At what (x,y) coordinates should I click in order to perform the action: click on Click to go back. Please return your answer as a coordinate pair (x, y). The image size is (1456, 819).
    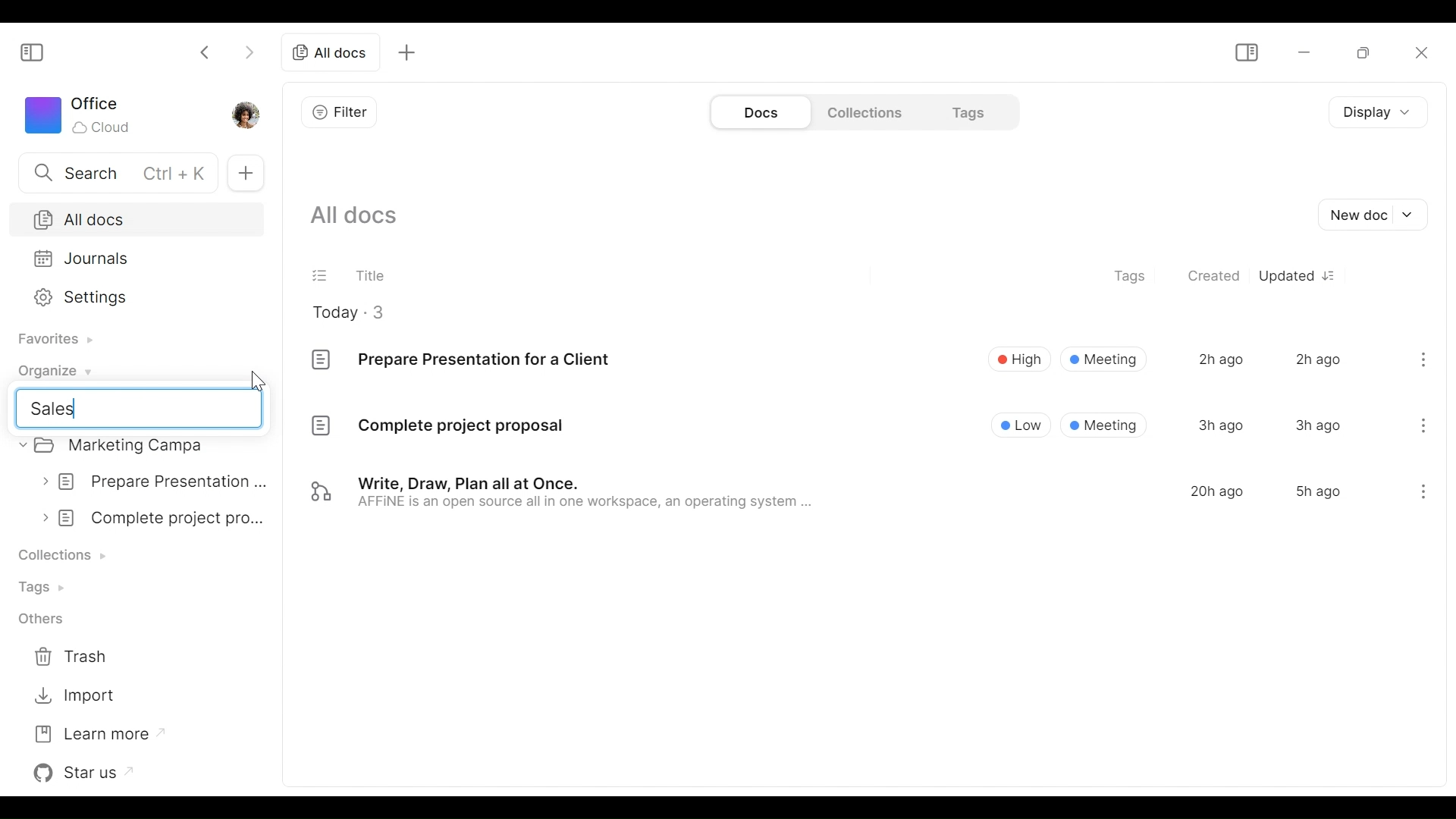
    Looking at the image, I should click on (206, 51).